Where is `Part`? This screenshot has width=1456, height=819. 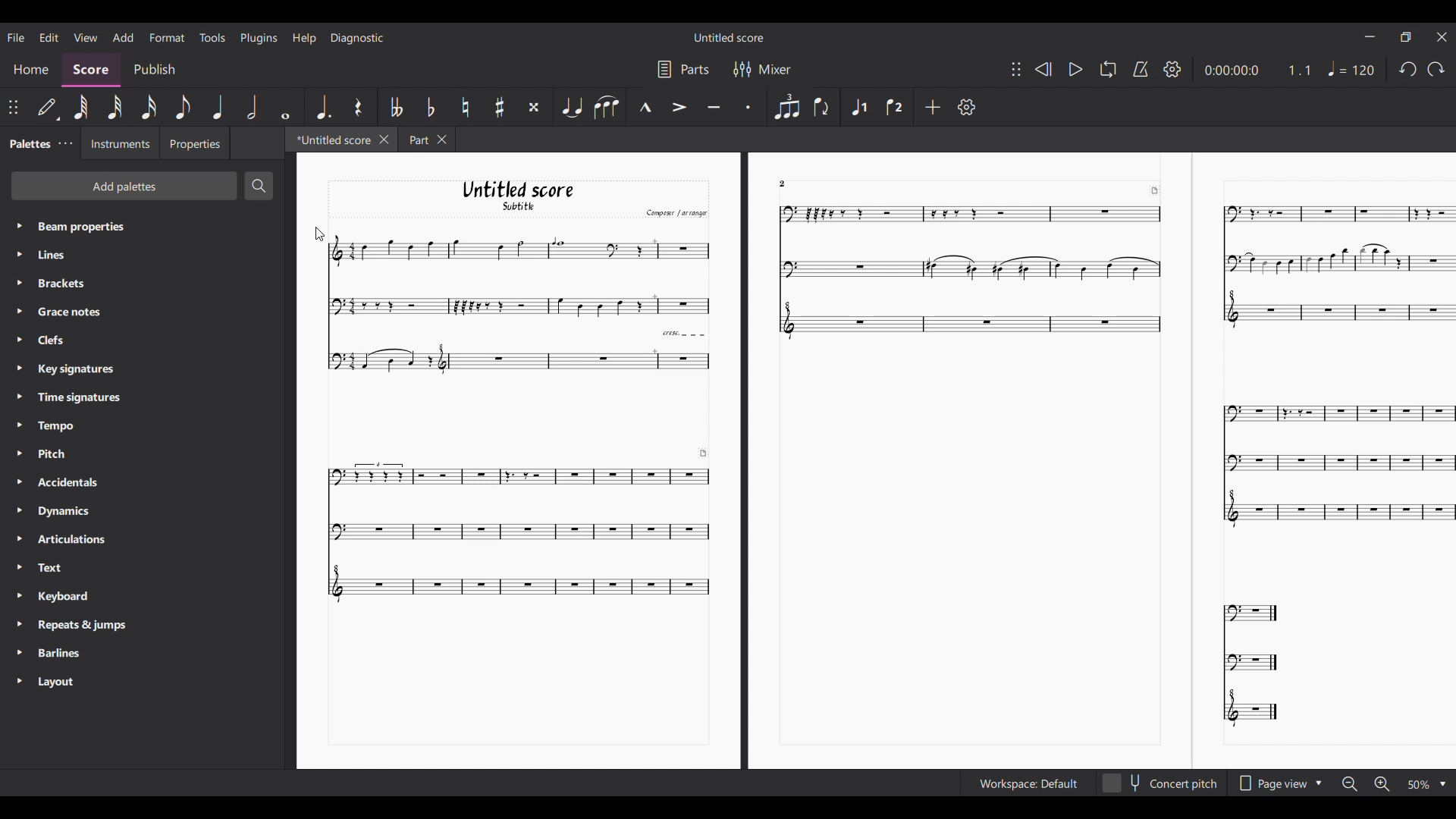 Part is located at coordinates (416, 139).